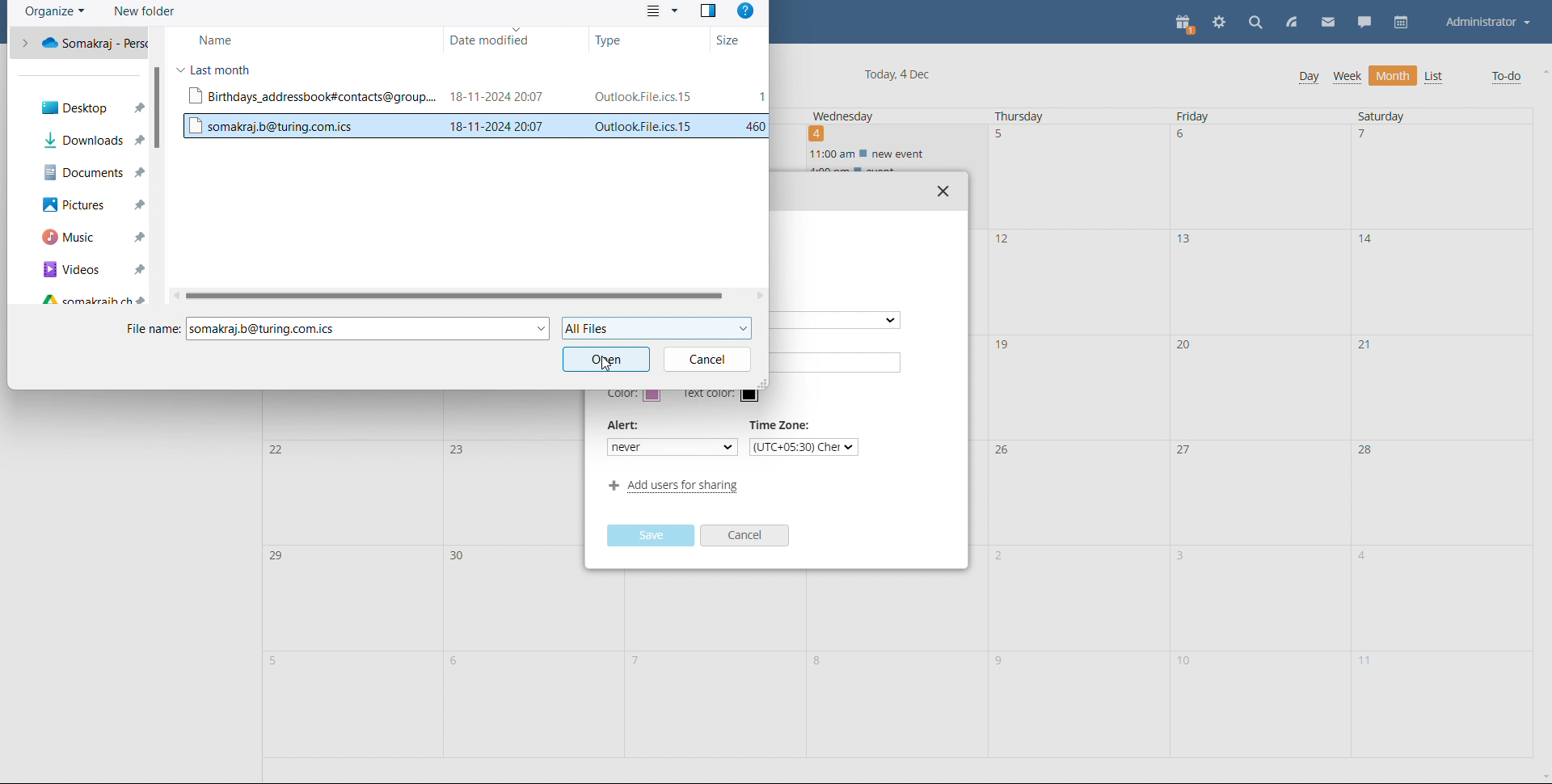 The width and height of the screenshot is (1552, 784). I want to click on resize window, so click(761, 384).